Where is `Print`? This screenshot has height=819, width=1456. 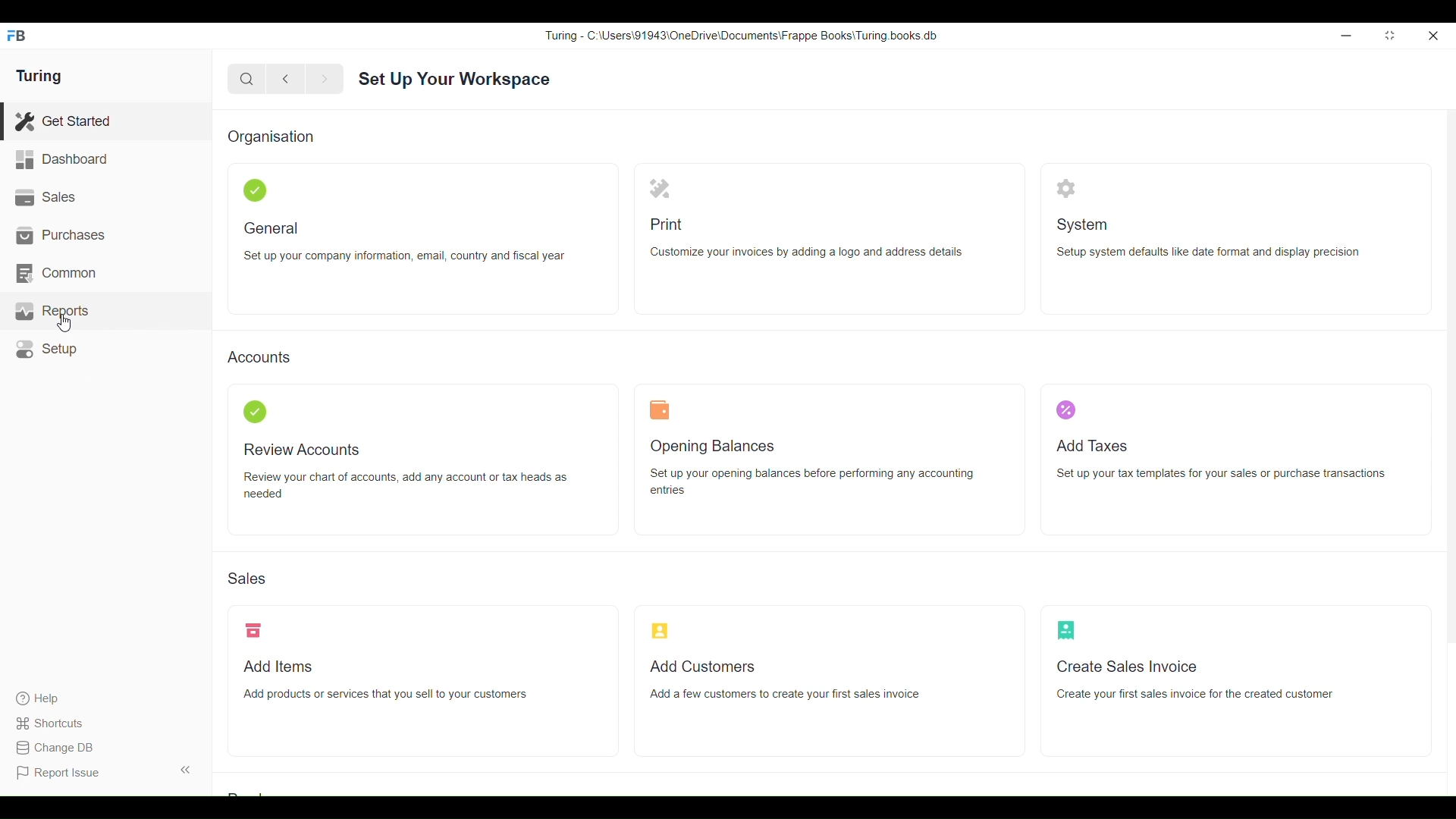 Print is located at coordinates (660, 188).